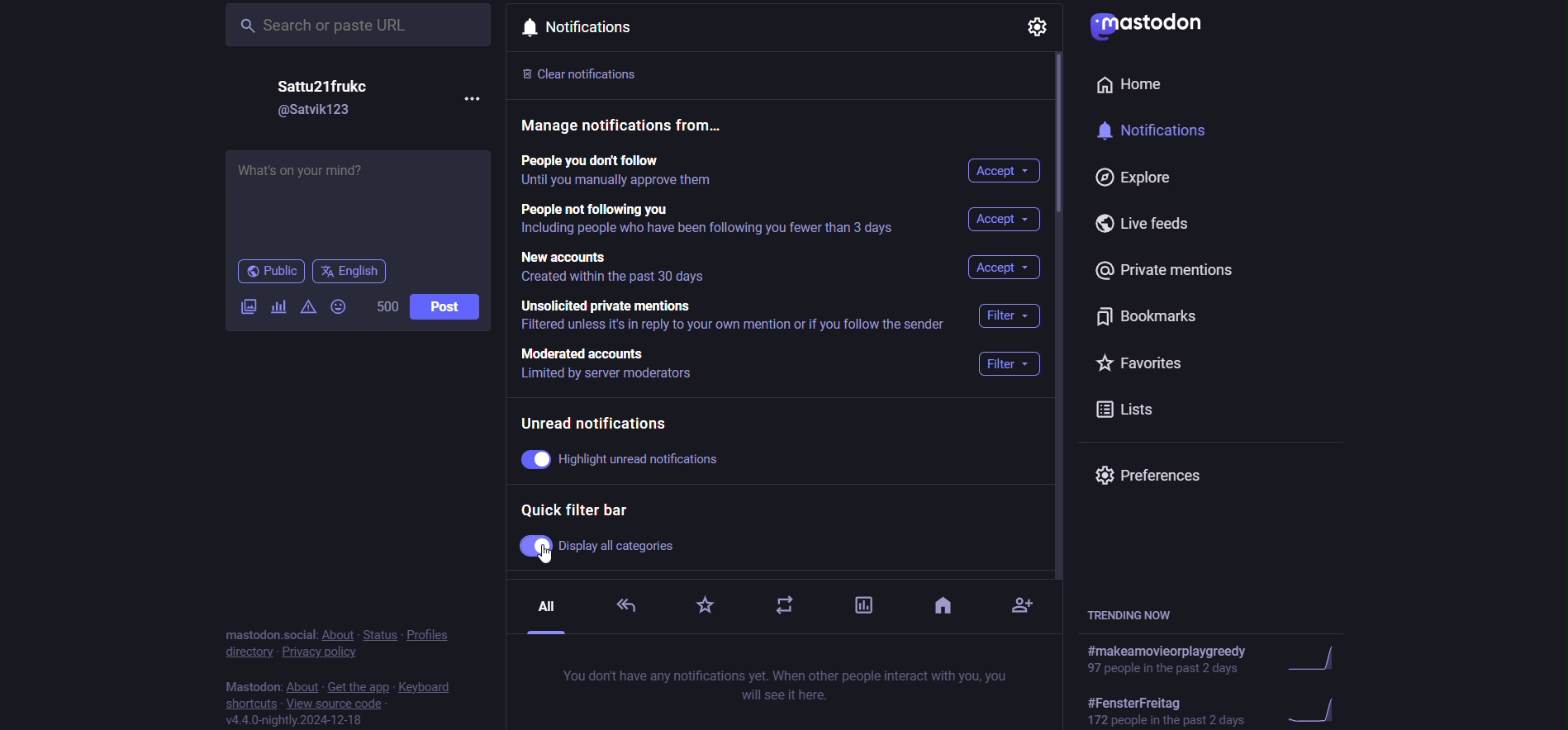 Image resolution: width=1568 pixels, height=730 pixels. What do you see at coordinates (1152, 221) in the screenshot?
I see `live feed` at bounding box center [1152, 221].